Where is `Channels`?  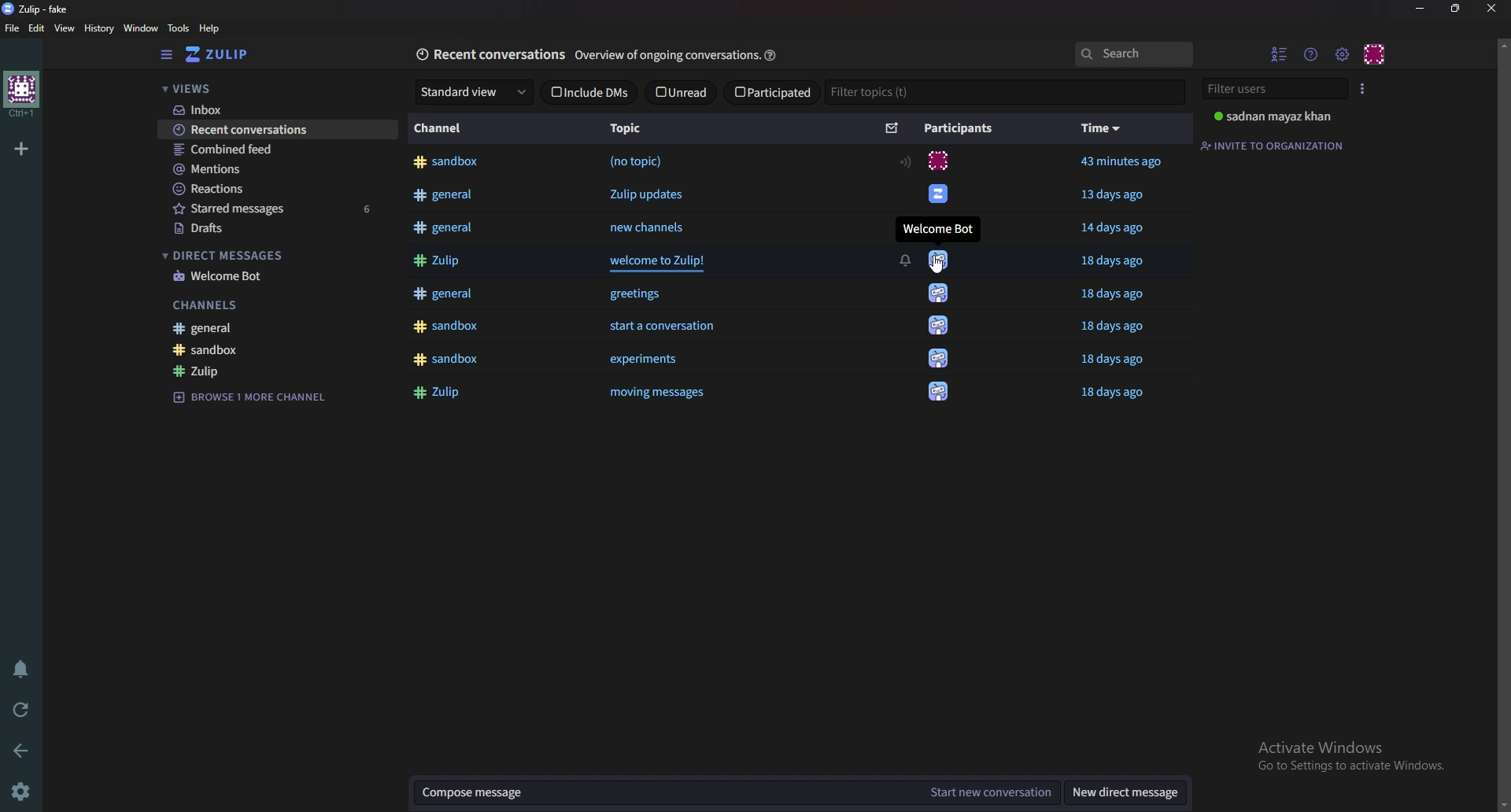
Channels is located at coordinates (279, 304).